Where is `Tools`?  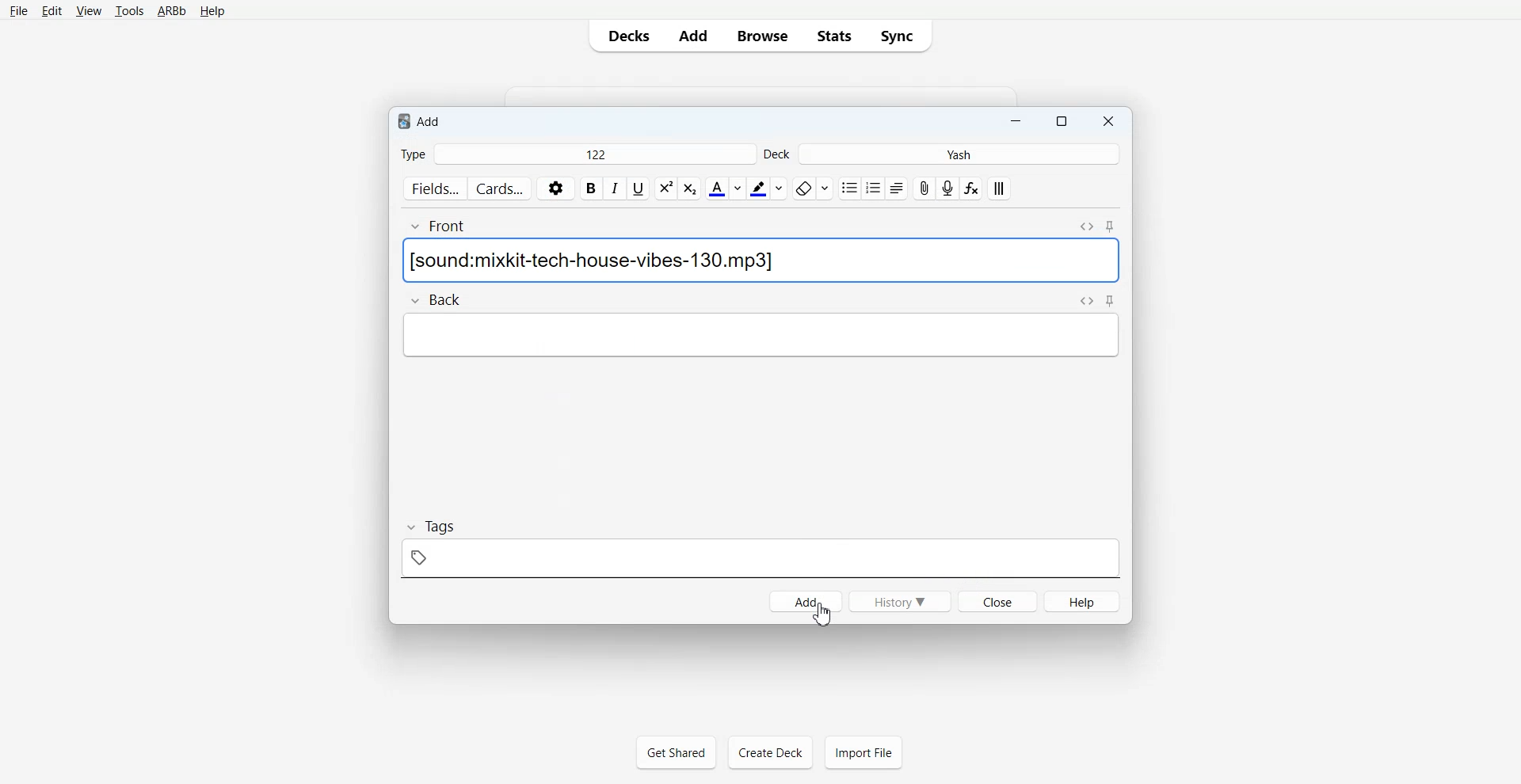 Tools is located at coordinates (127, 10).